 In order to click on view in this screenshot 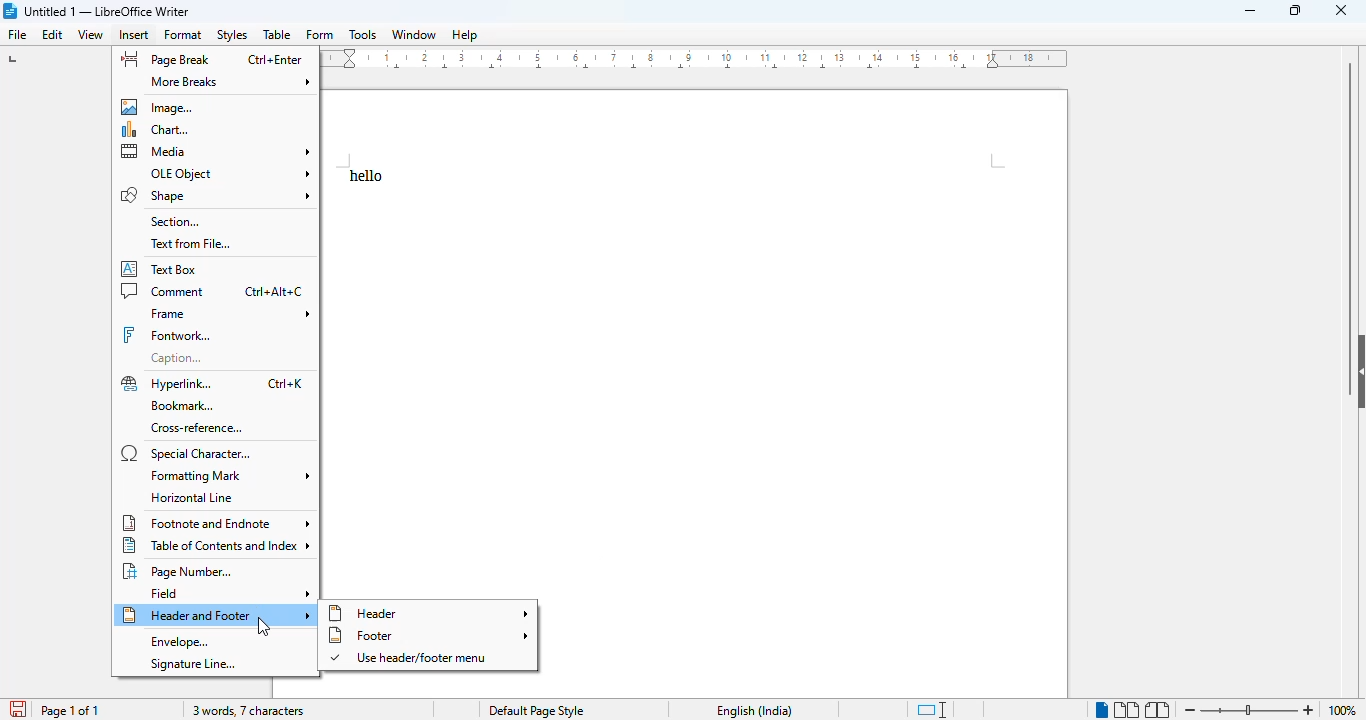, I will do `click(90, 35)`.